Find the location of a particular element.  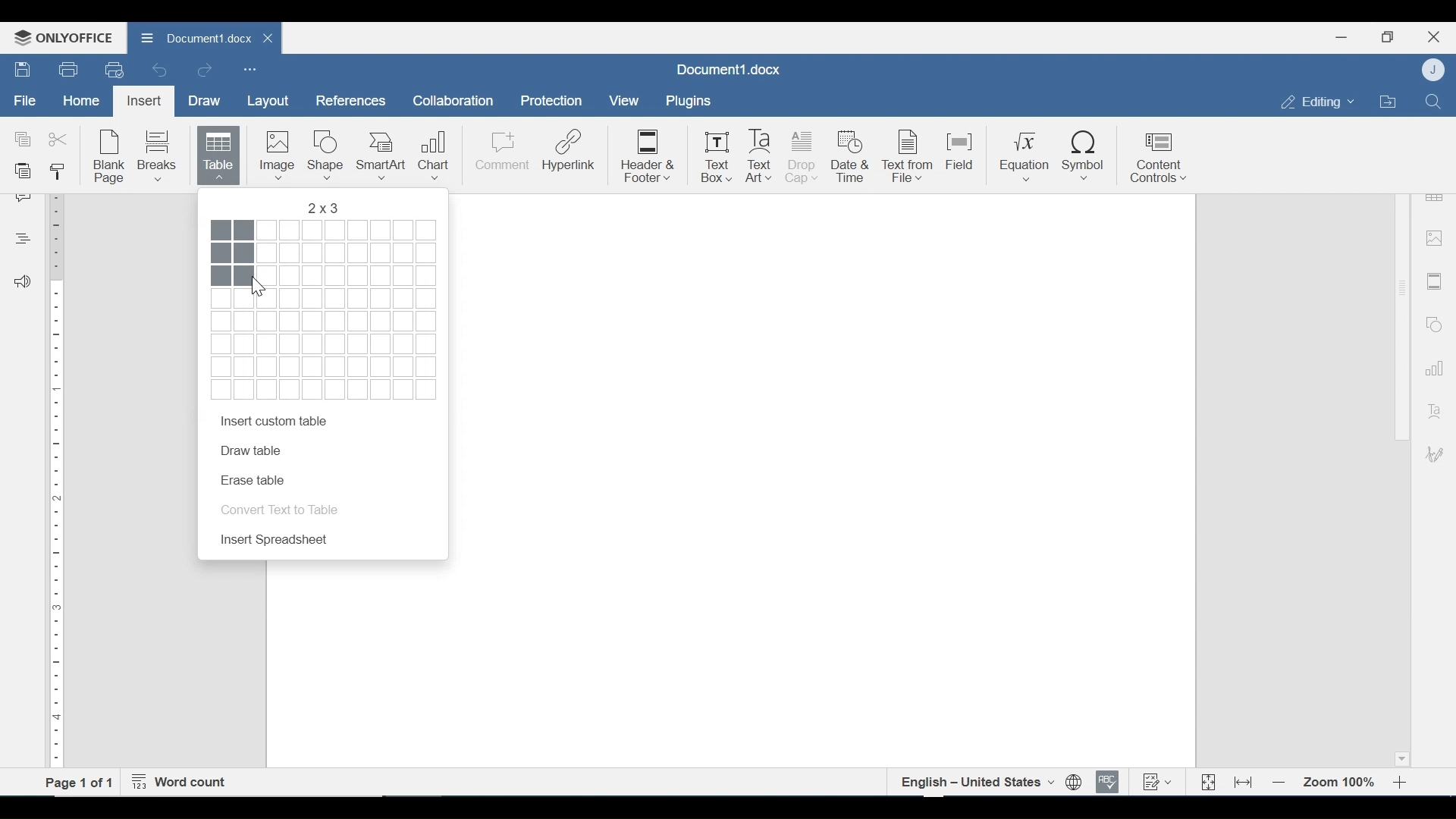

Insert Spreadsheet is located at coordinates (278, 541).